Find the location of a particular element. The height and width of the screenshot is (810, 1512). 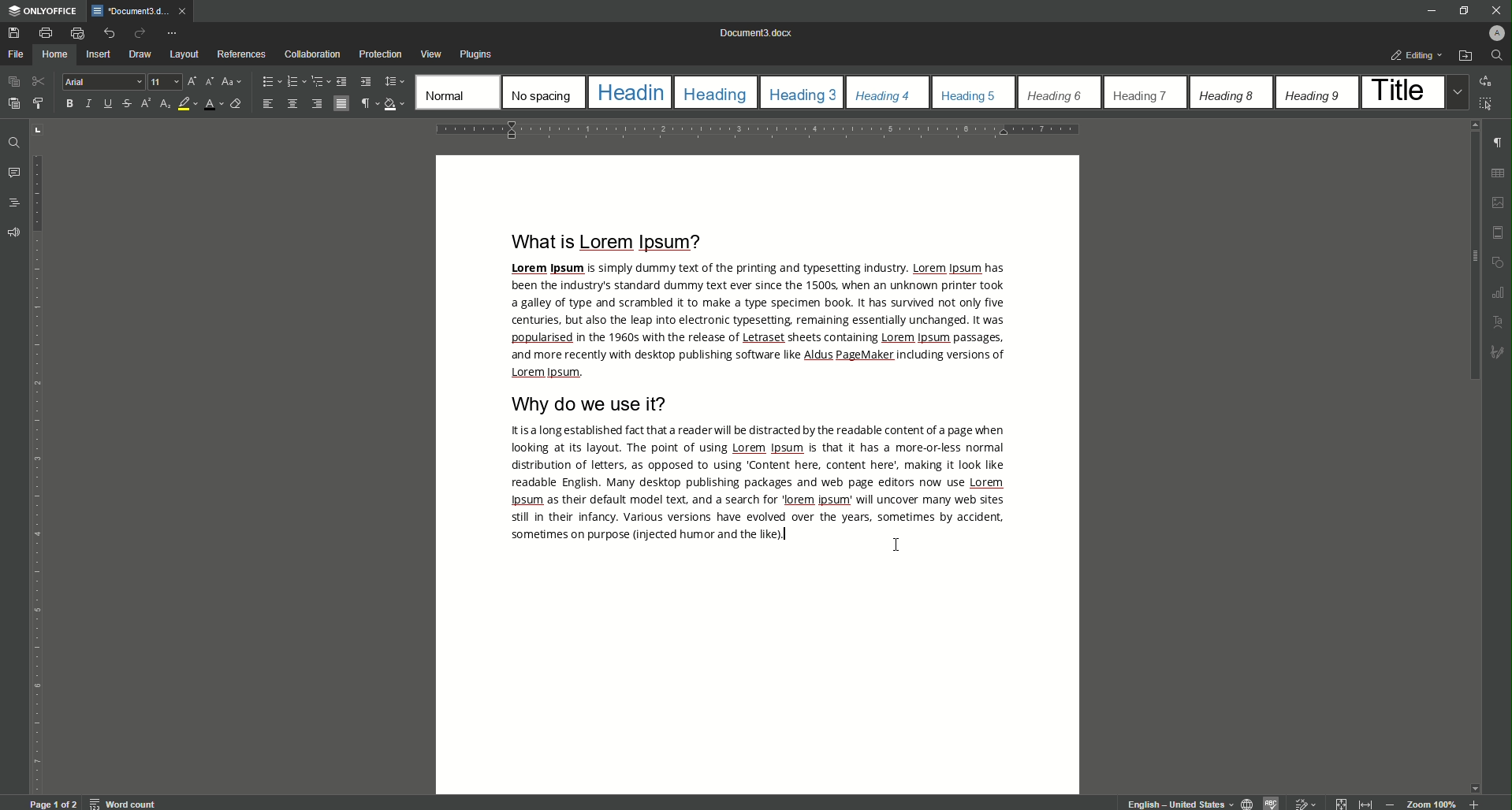

Shading is located at coordinates (393, 102).